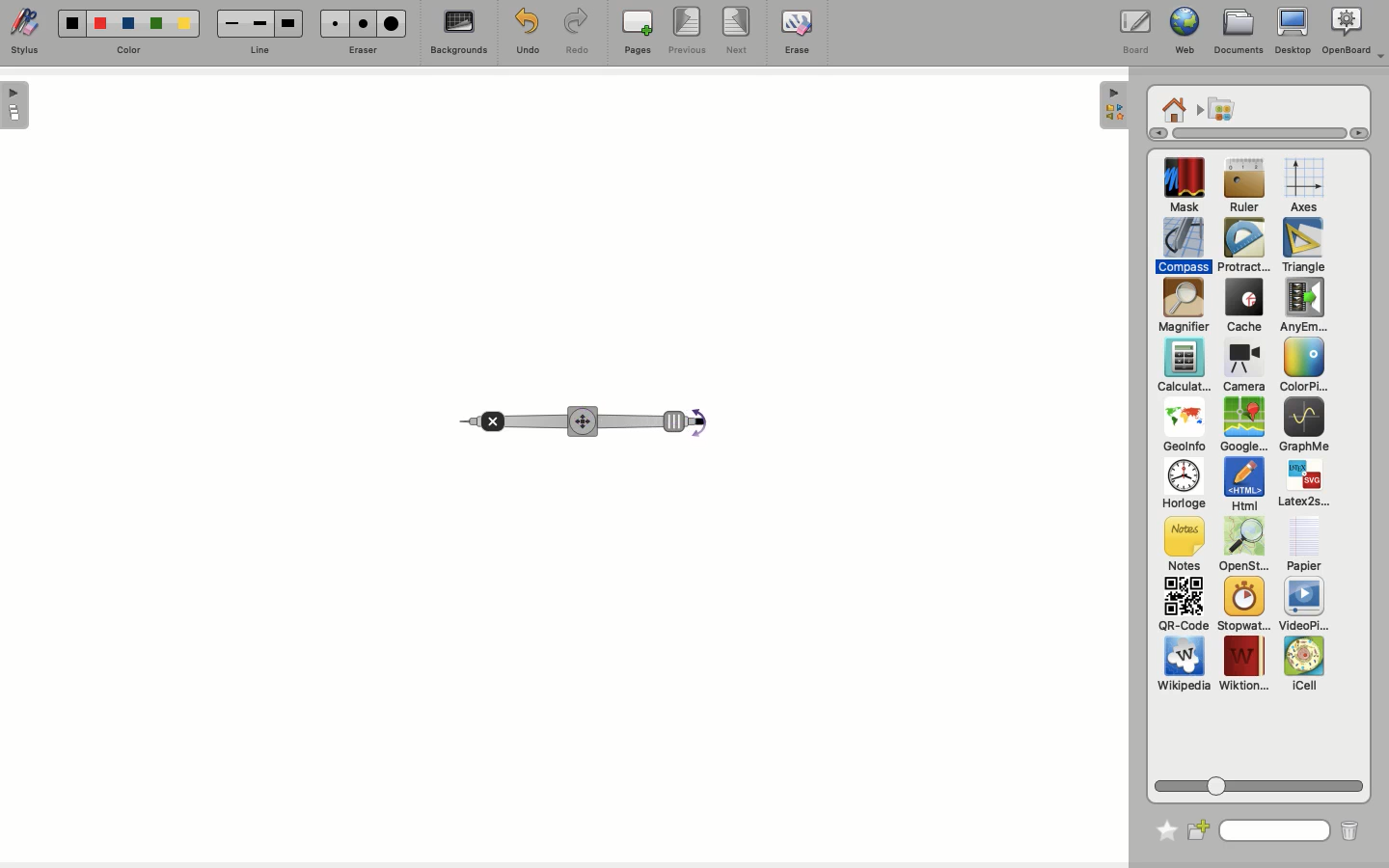 This screenshot has height=868, width=1389. Describe the element at coordinates (1304, 484) in the screenshot. I see `Latex2s` at that location.